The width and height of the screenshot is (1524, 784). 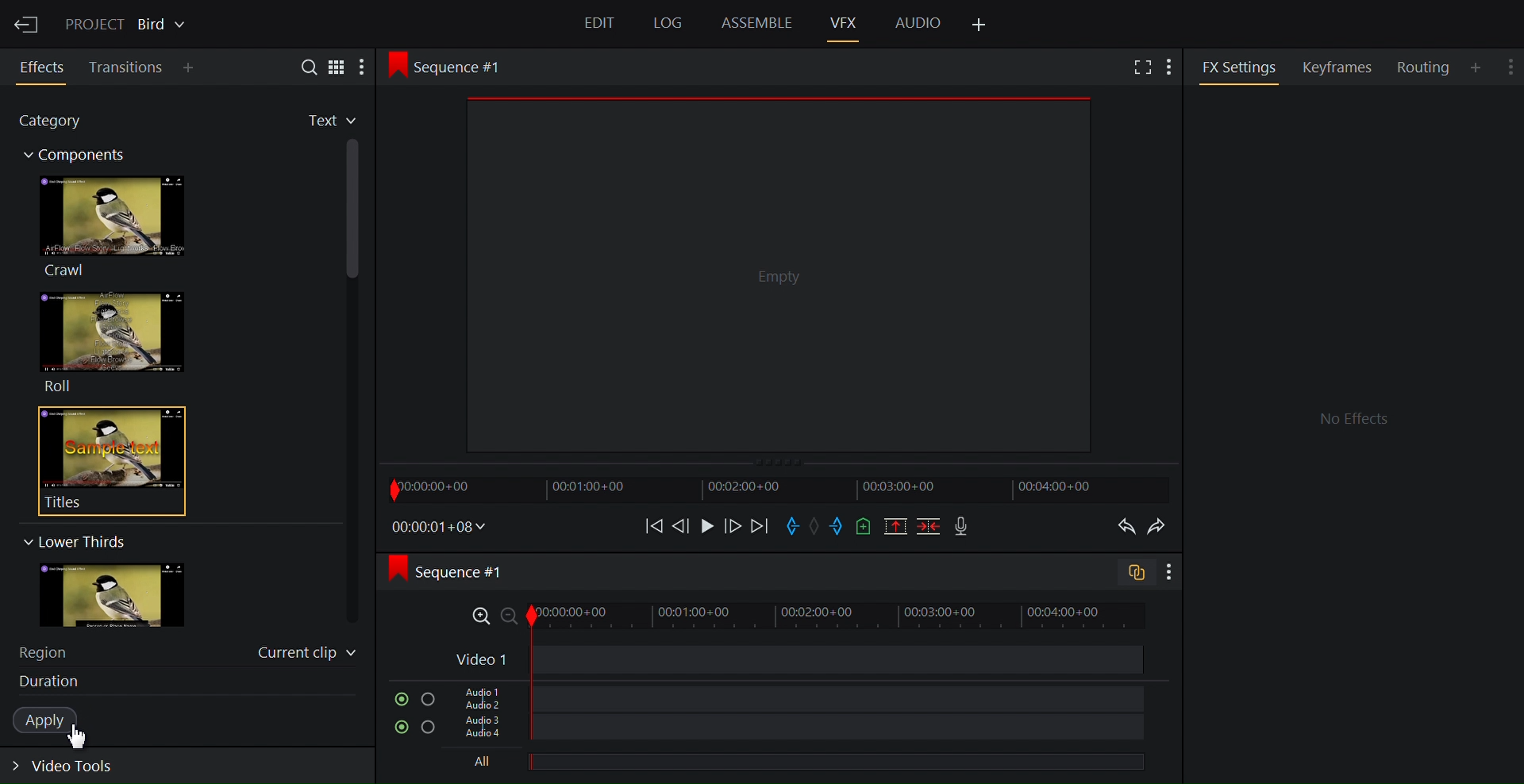 What do you see at coordinates (897, 528) in the screenshot?
I see `Remove all marked sections` at bounding box center [897, 528].